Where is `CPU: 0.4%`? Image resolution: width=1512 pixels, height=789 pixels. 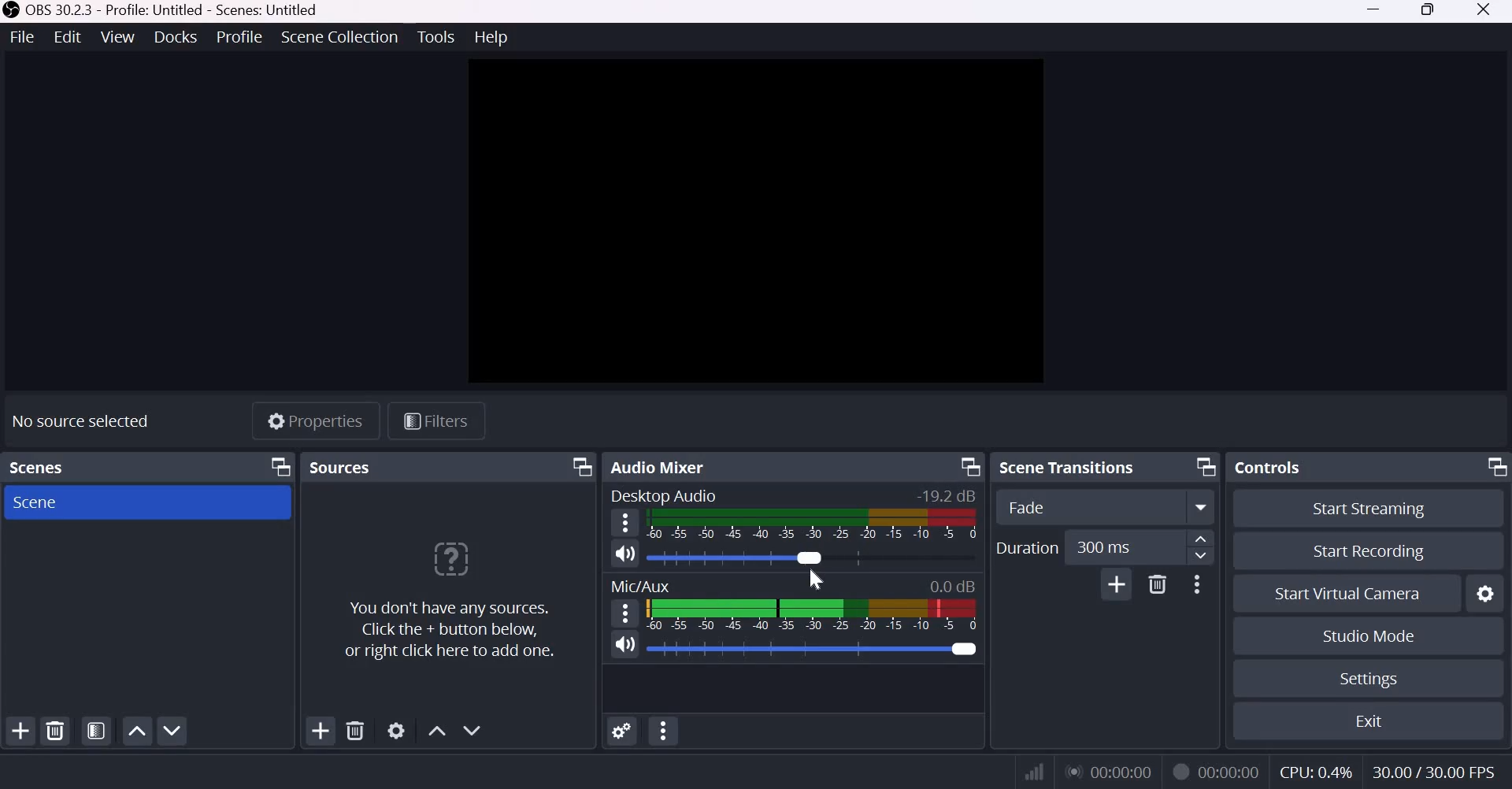 CPU: 0.4% is located at coordinates (1316, 771).